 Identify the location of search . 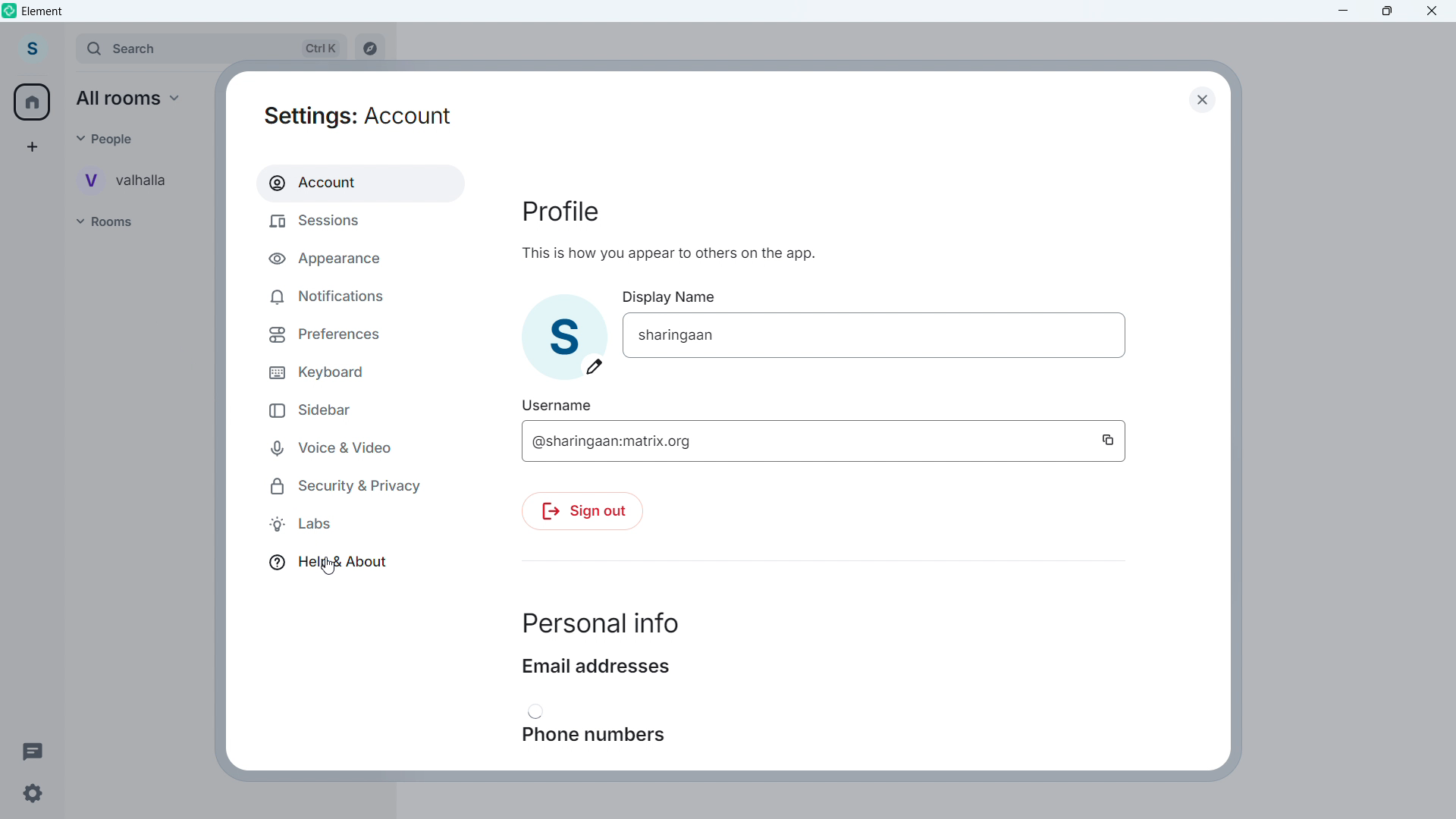
(209, 49).